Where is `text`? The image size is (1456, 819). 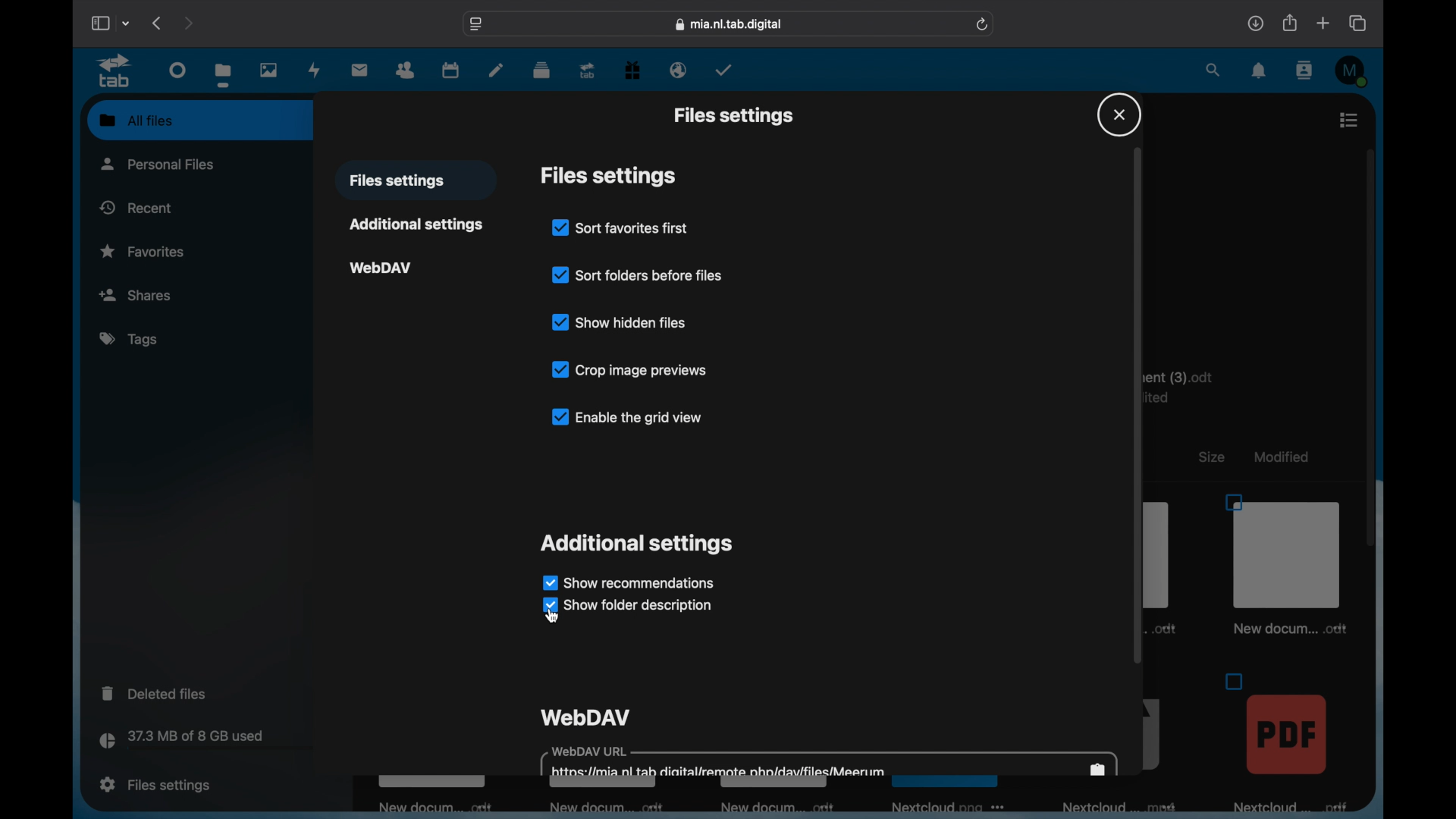 text is located at coordinates (1188, 385).